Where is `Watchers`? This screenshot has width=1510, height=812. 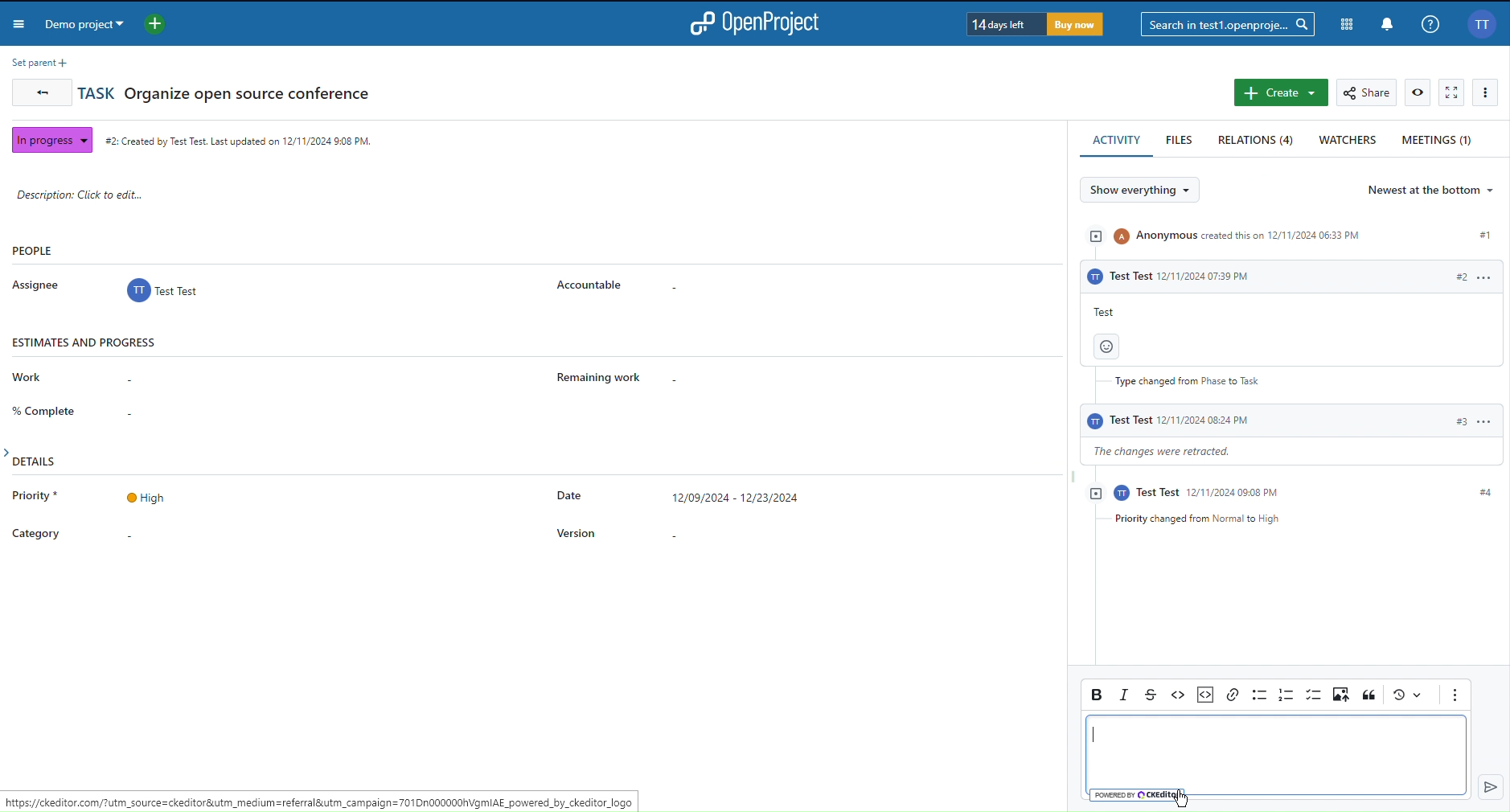 Watchers is located at coordinates (1348, 141).